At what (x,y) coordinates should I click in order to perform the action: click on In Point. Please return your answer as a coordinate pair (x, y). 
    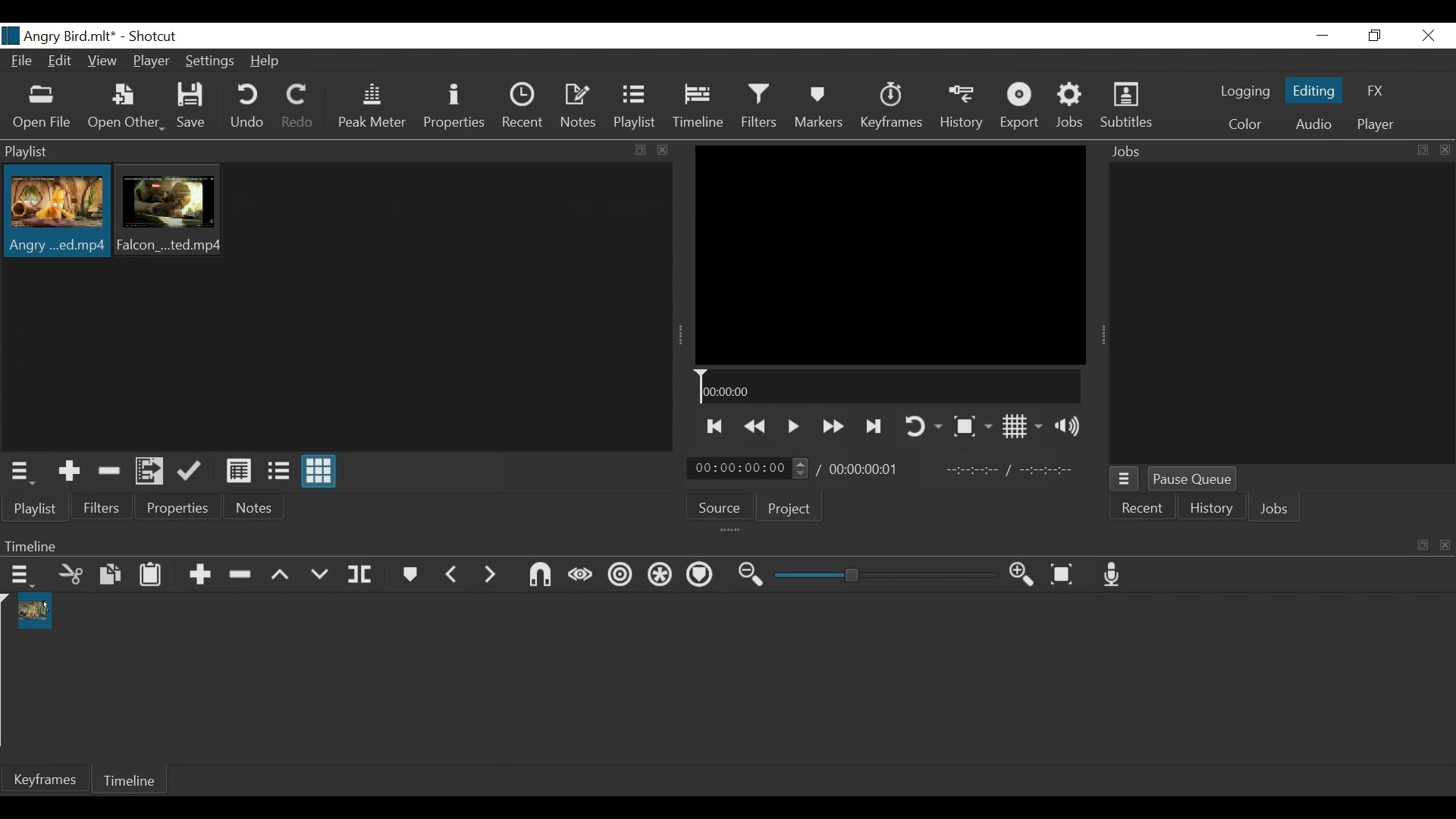
    Looking at the image, I should click on (1012, 471).